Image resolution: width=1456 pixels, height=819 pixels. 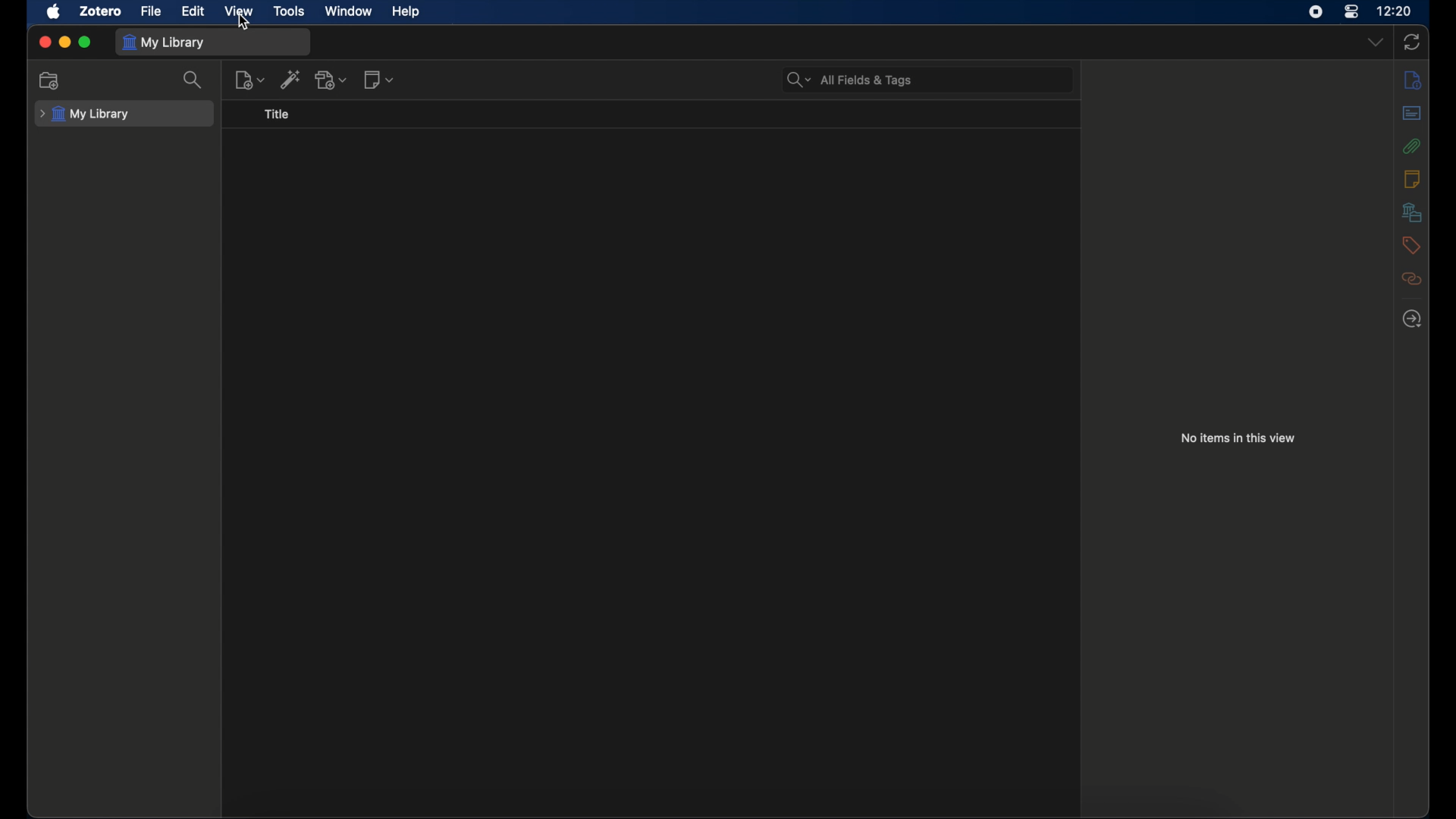 I want to click on cursor, so click(x=246, y=23).